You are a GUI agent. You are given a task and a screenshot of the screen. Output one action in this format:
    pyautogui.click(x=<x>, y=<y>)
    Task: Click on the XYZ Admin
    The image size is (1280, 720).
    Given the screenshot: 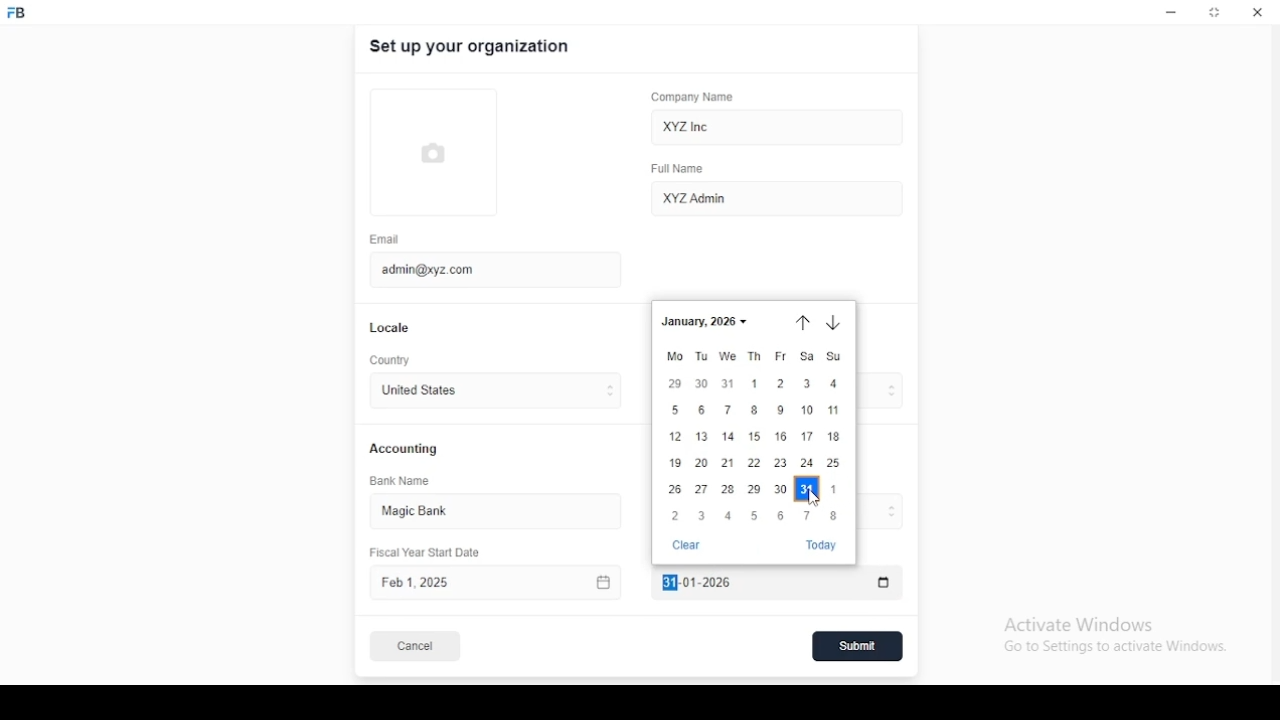 What is the action you would take?
    pyautogui.click(x=777, y=197)
    